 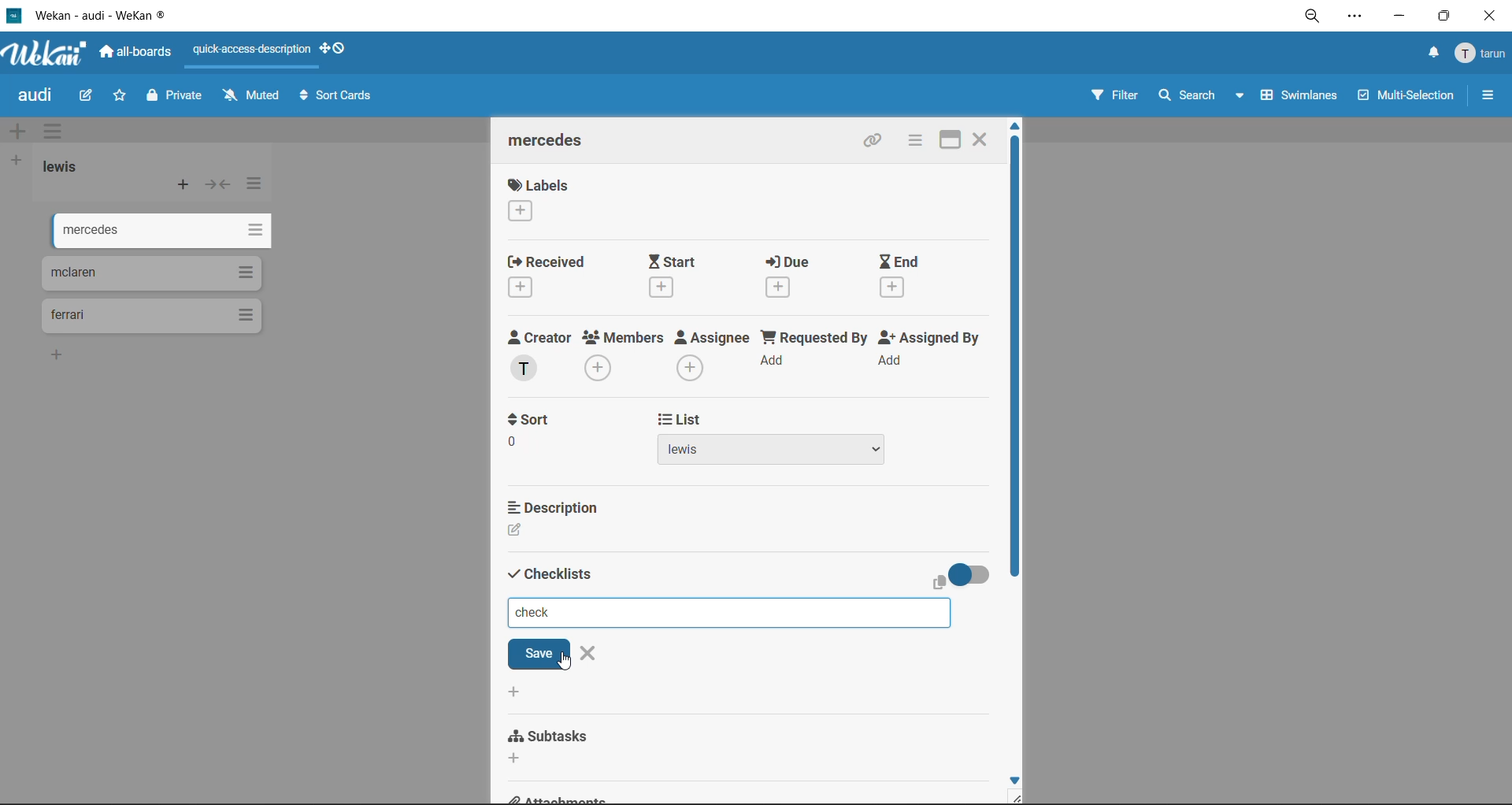 What do you see at coordinates (138, 54) in the screenshot?
I see `all boards` at bounding box center [138, 54].